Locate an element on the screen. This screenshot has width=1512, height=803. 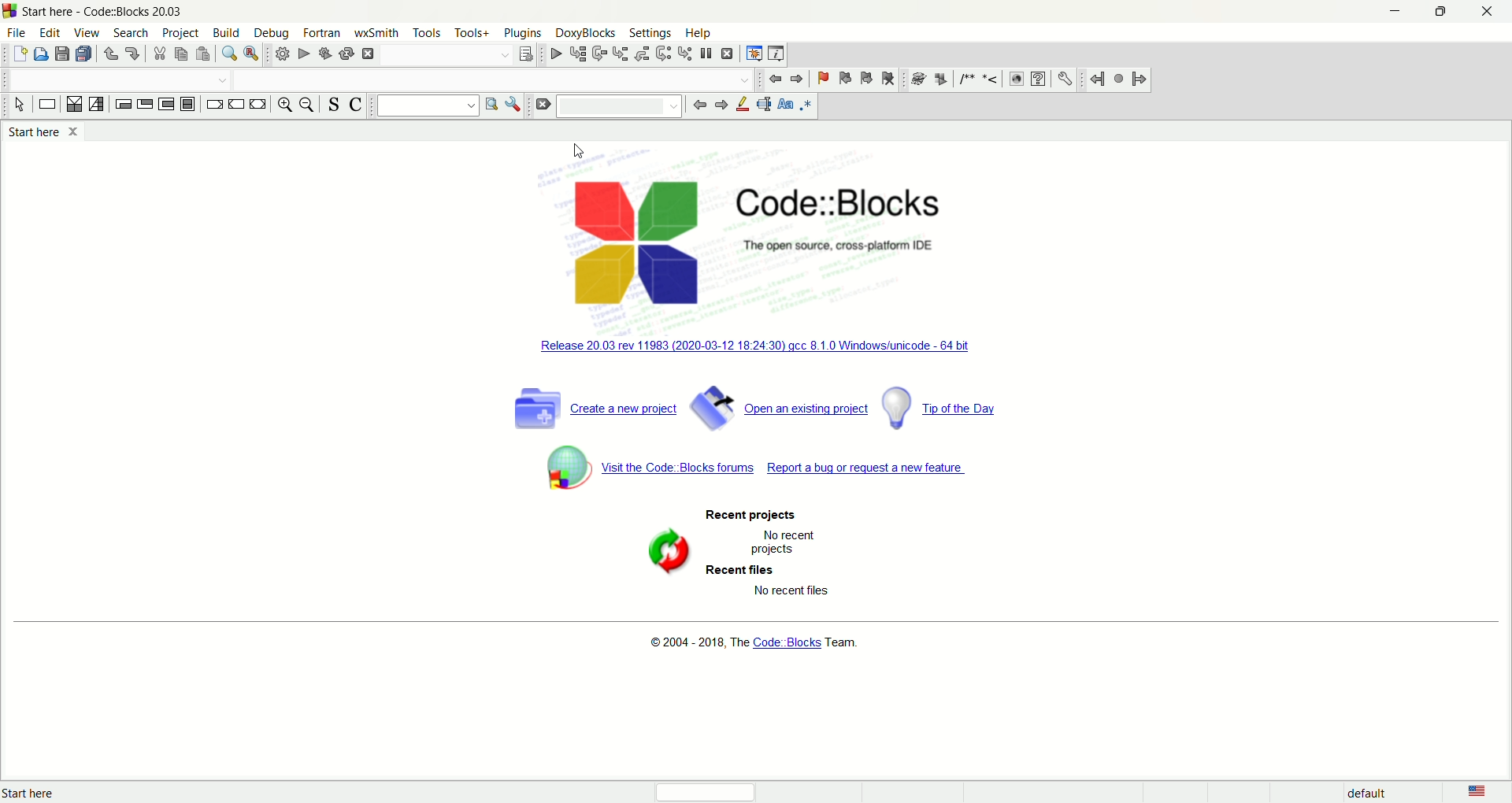
start here is located at coordinates (41, 135).